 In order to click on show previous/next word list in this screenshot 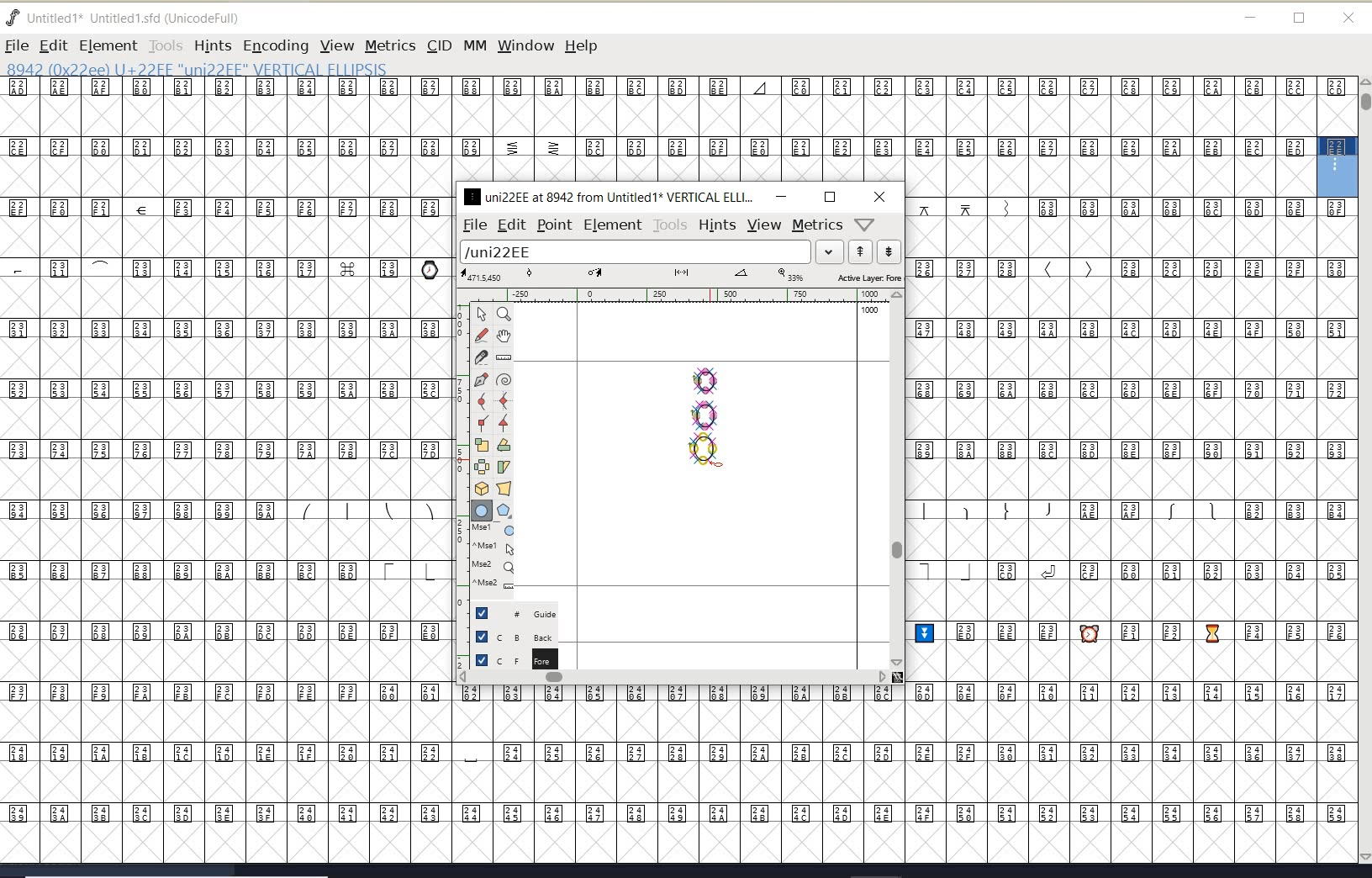, I will do `click(876, 253)`.